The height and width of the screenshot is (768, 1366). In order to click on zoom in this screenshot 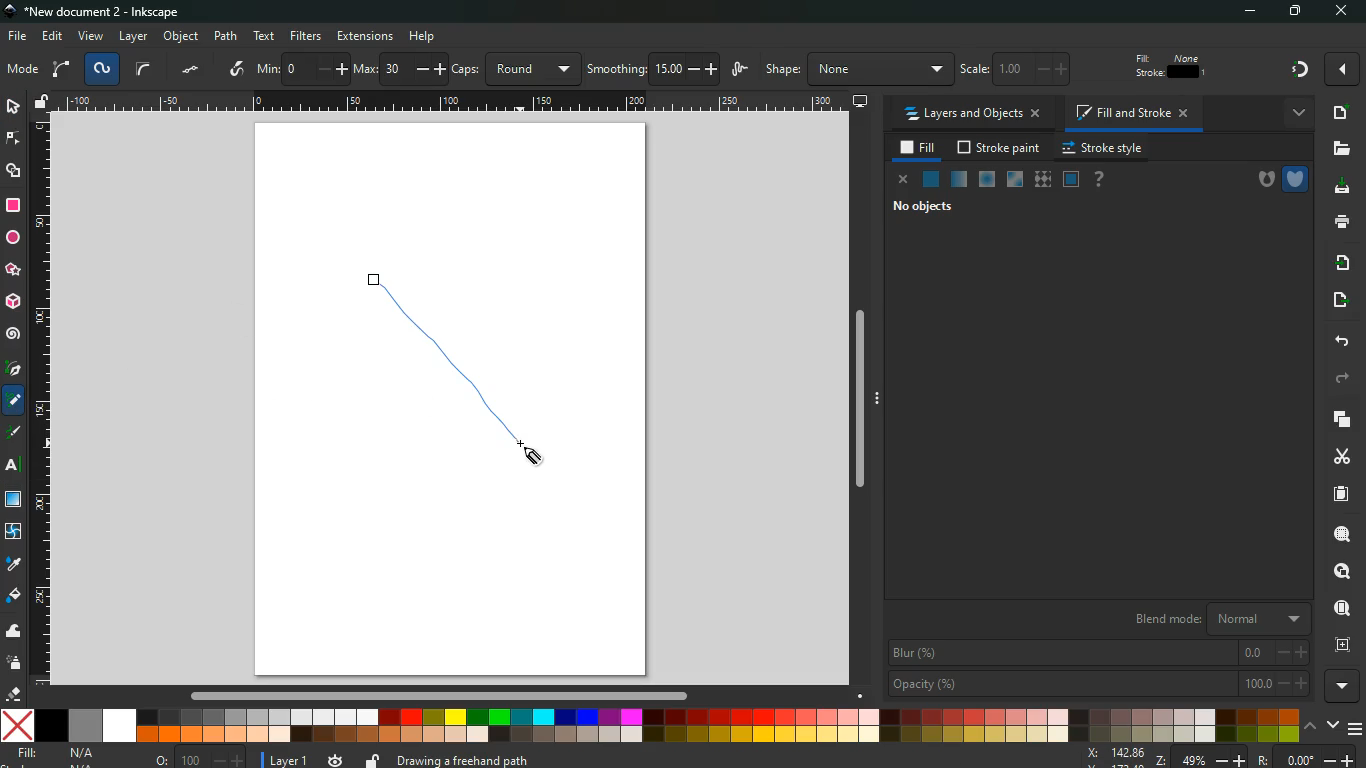, I will do `click(1222, 758)`.